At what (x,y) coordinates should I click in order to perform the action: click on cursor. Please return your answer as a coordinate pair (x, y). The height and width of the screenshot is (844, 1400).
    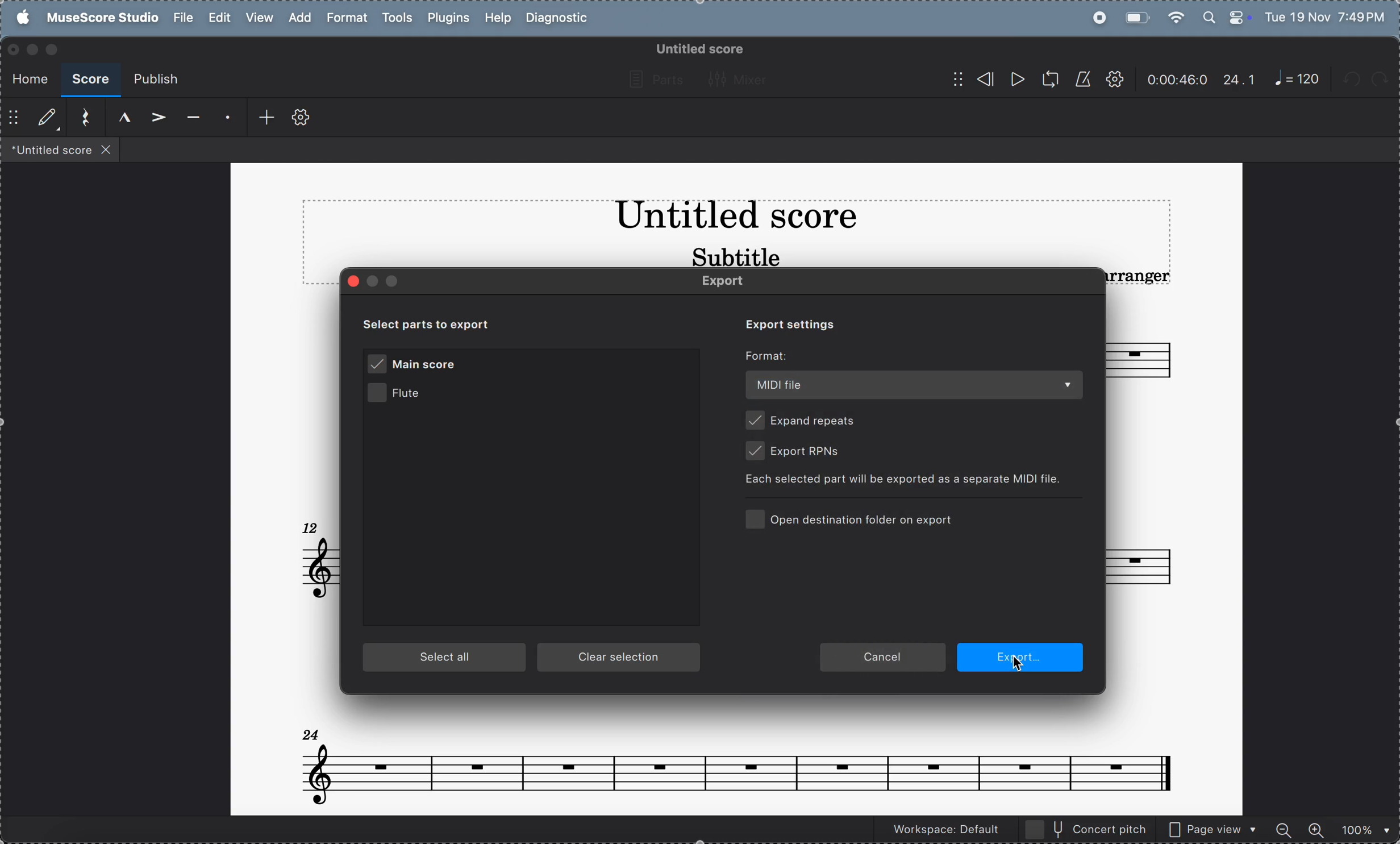
    Looking at the image, I should click on (1017, 662).